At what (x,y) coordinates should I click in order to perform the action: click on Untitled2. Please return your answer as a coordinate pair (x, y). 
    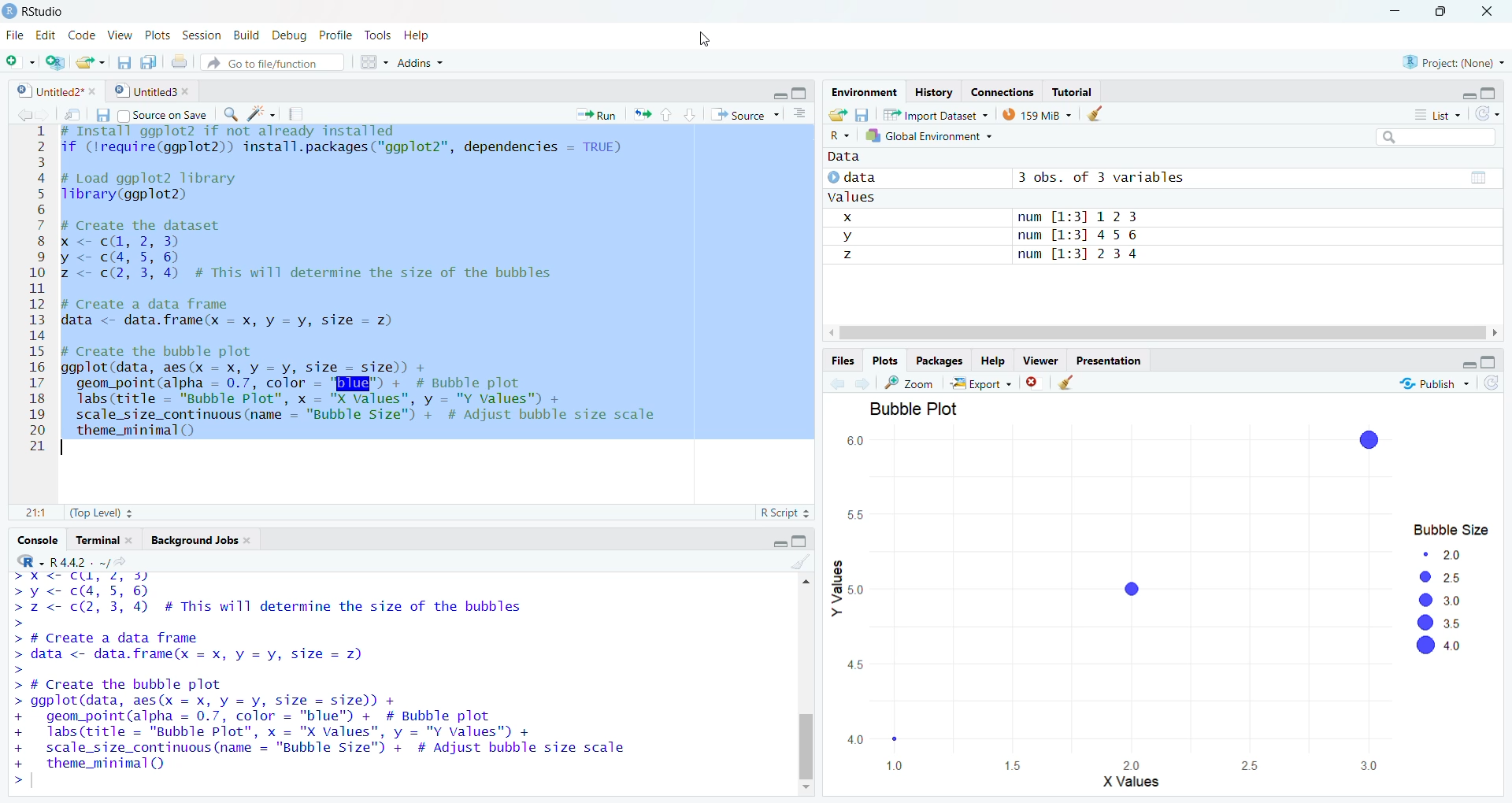
    Looking at the image, I should click on (54, 91).